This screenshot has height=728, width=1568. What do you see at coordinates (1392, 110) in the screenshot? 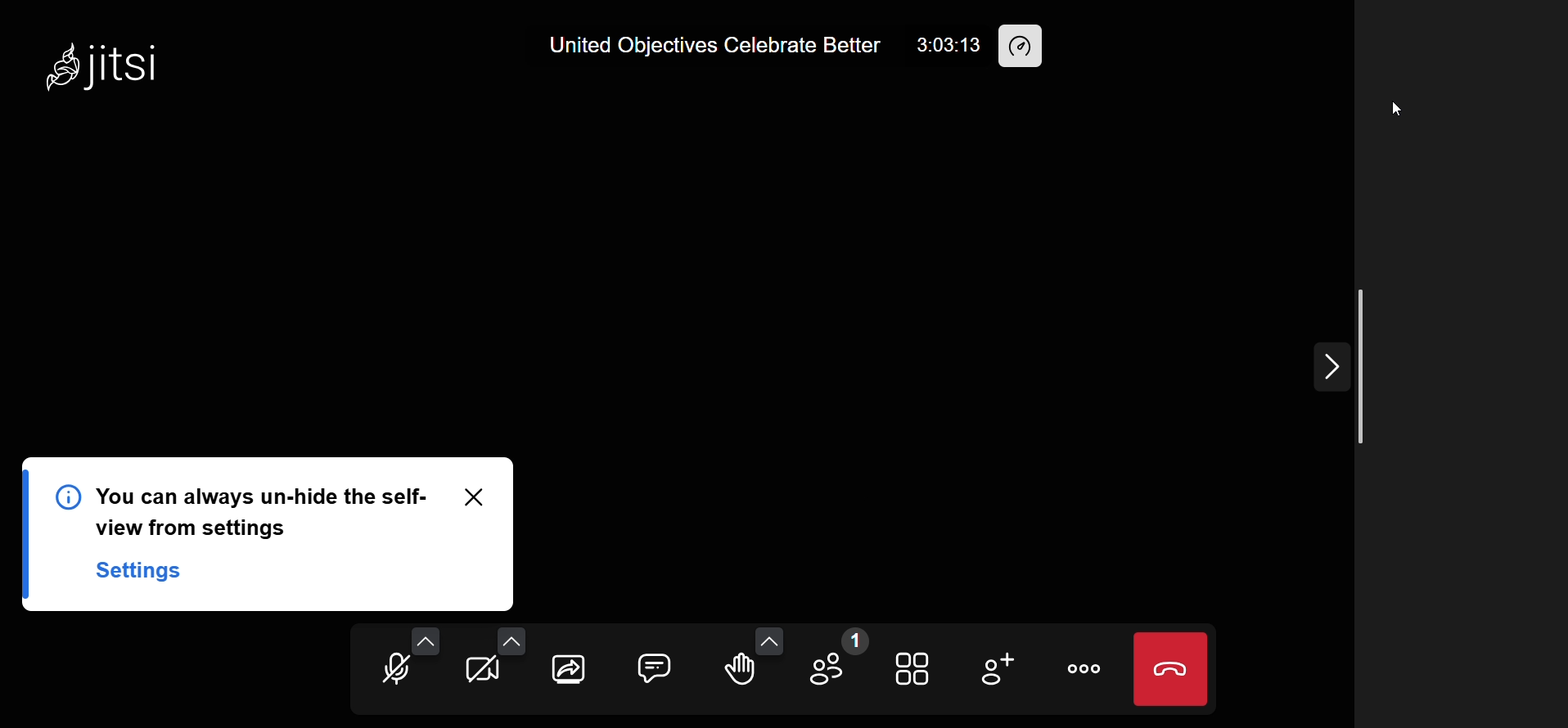
I see `cursor` at bounding box center [1392, 110].